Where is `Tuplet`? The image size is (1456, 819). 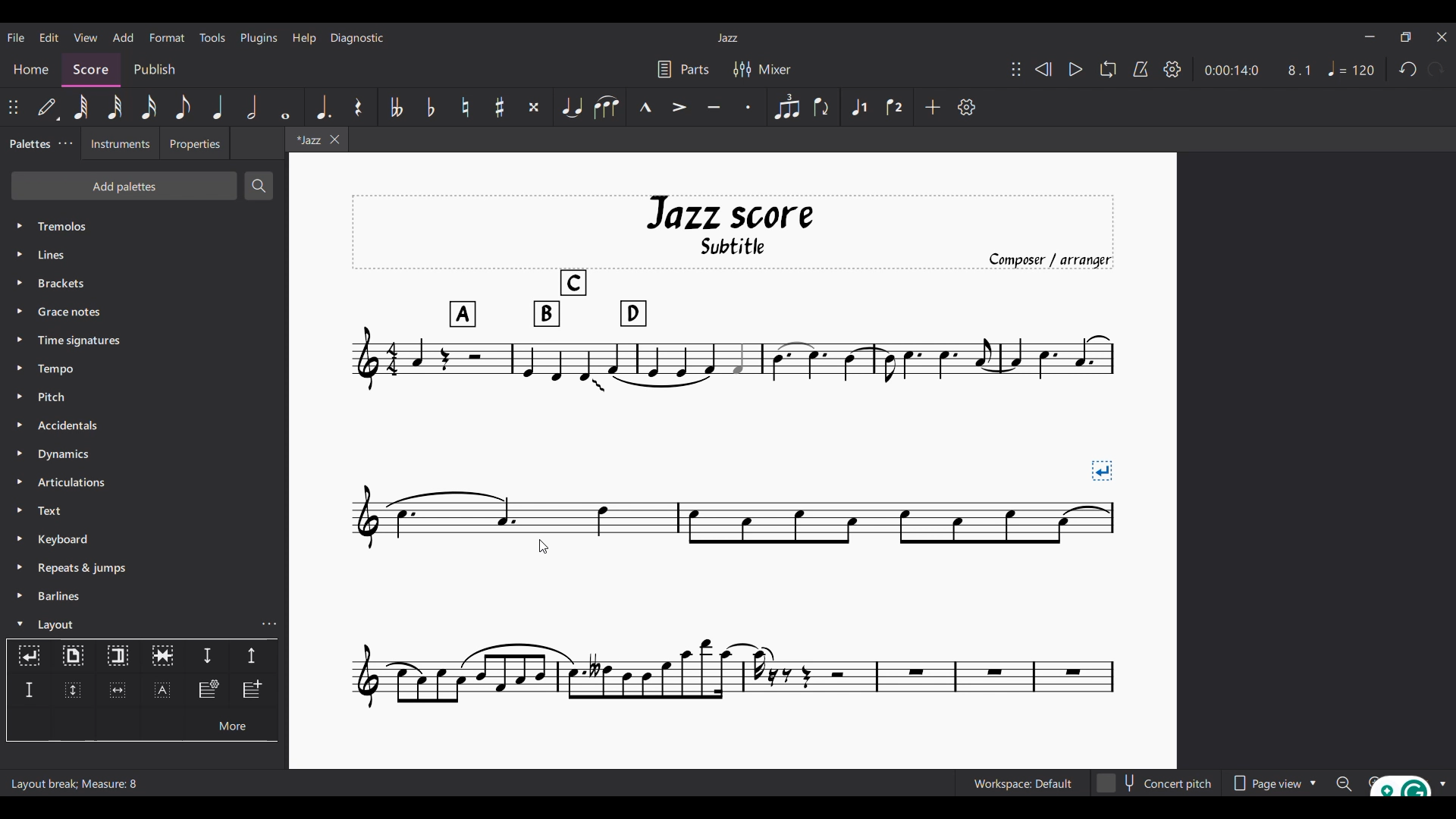
Tuplet is located at coordinates (786, 107).